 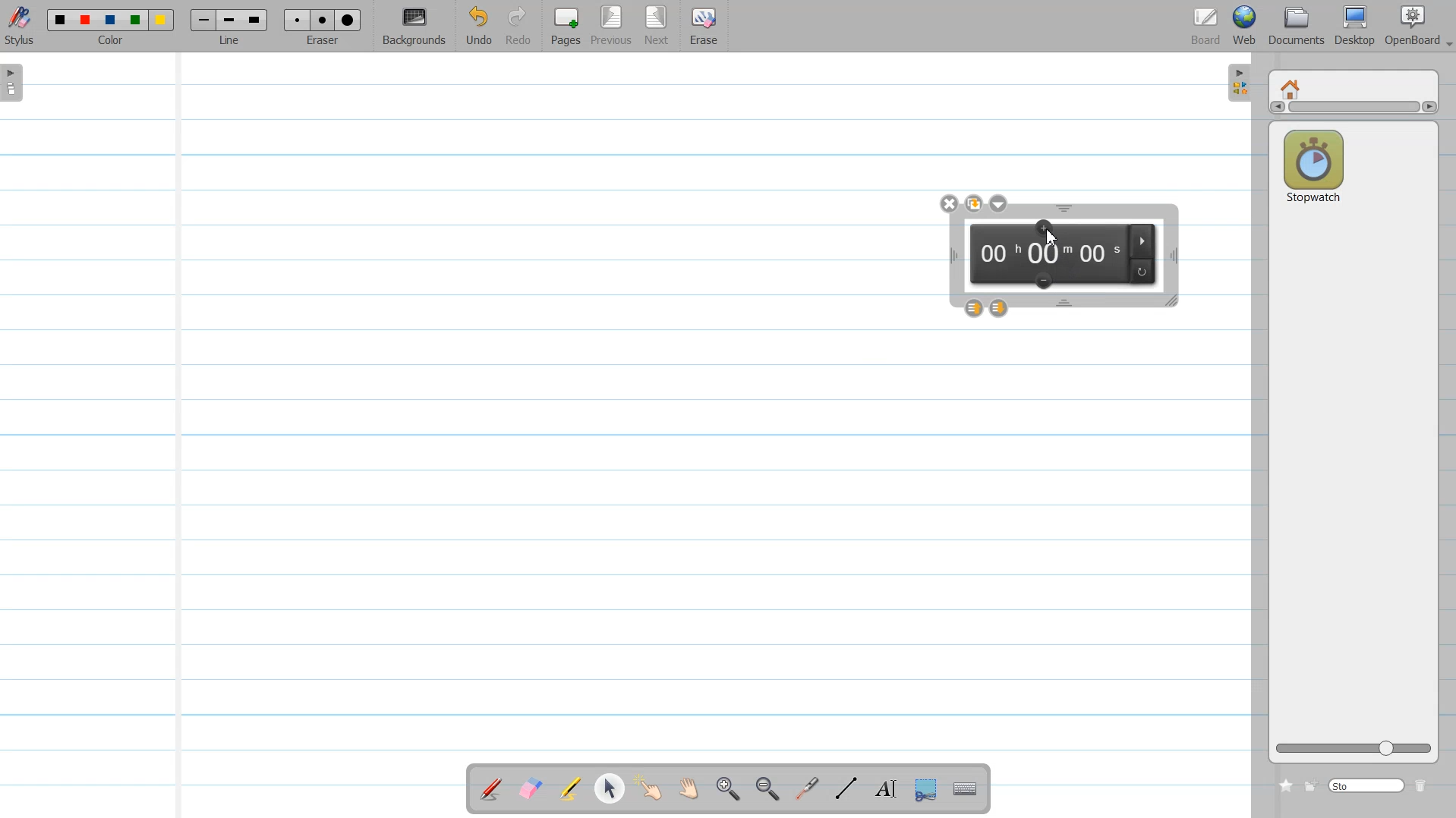 What do you see at coordinates (1045, 225) in the screenshot?
I see `Add minutes` at bounding box center [1045, 225].